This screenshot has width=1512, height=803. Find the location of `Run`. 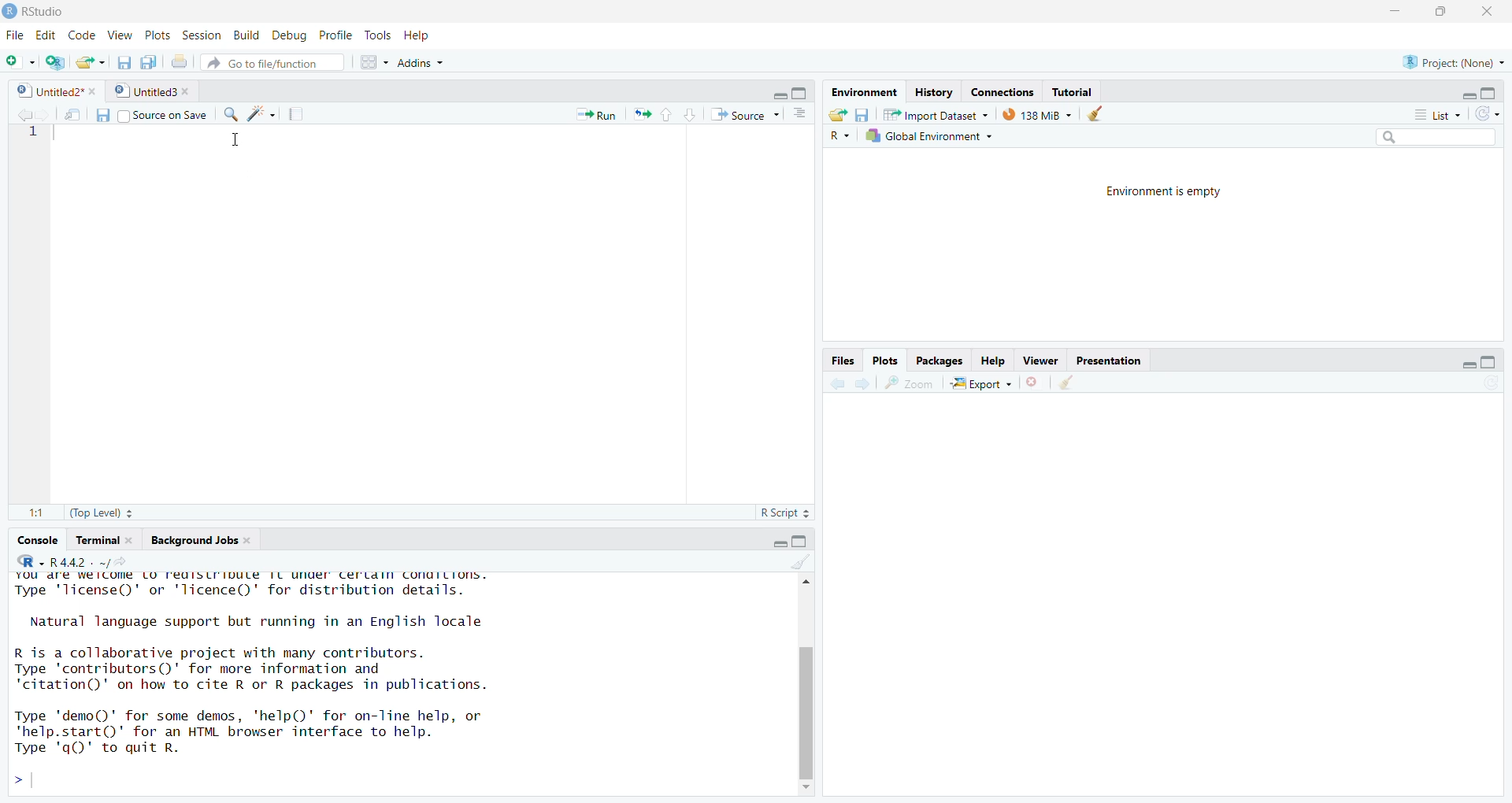

Run is located at coordinates (589, 115).